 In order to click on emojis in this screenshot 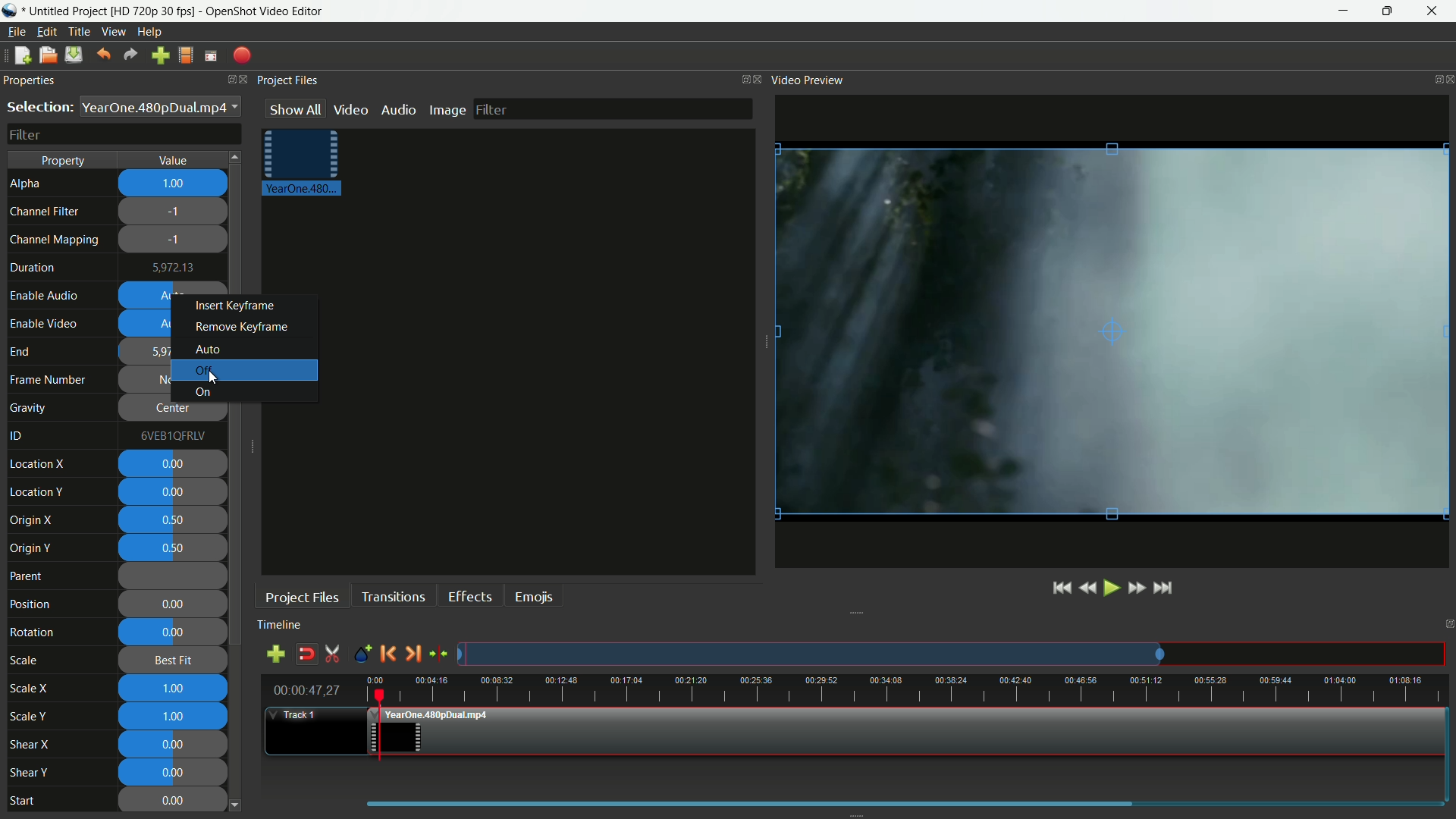, I will do `click(532, 595)`.